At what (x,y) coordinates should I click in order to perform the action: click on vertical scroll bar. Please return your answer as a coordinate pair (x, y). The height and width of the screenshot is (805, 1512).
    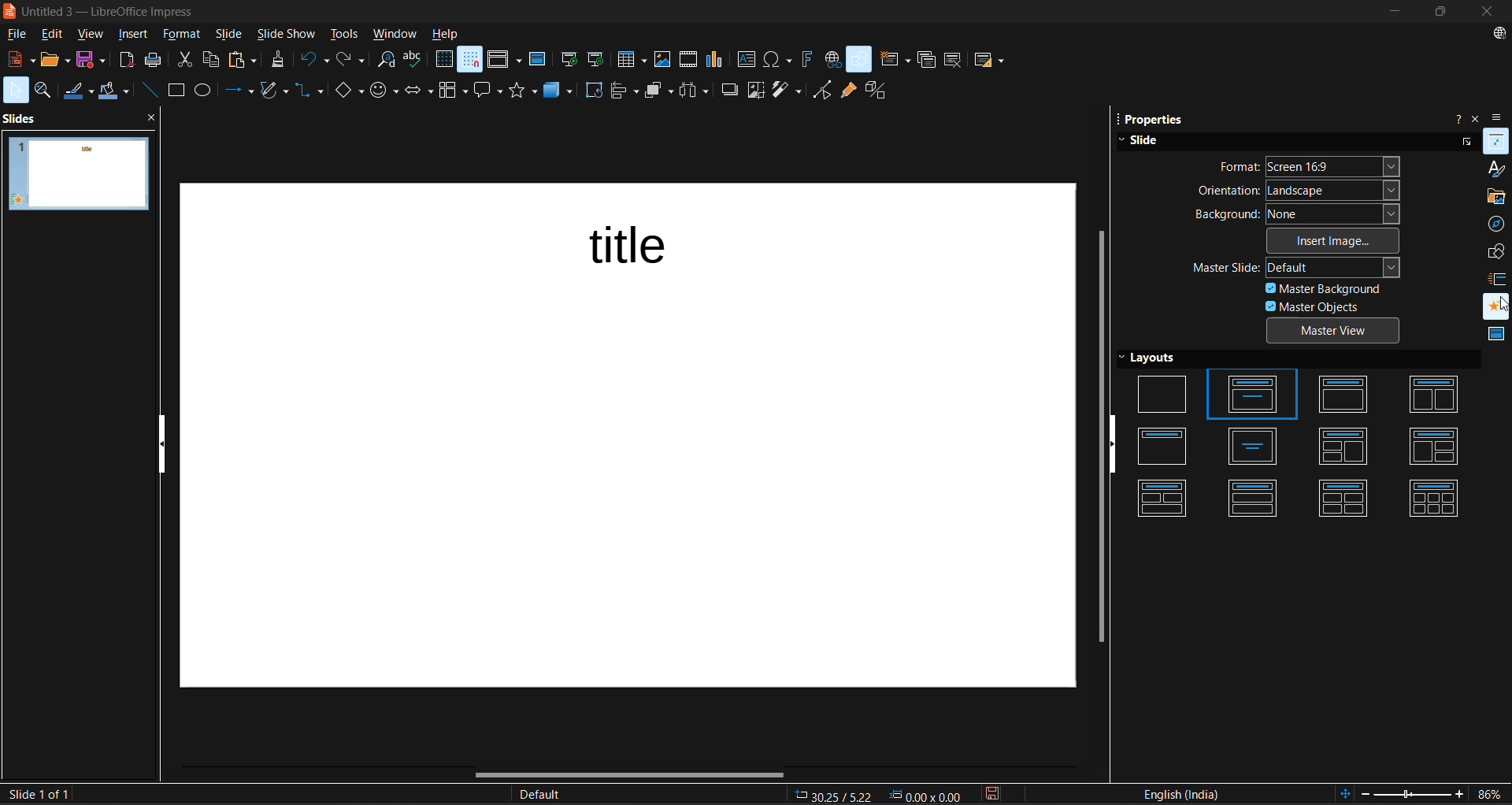
    Looking at the image, I should click on (1102, 429).